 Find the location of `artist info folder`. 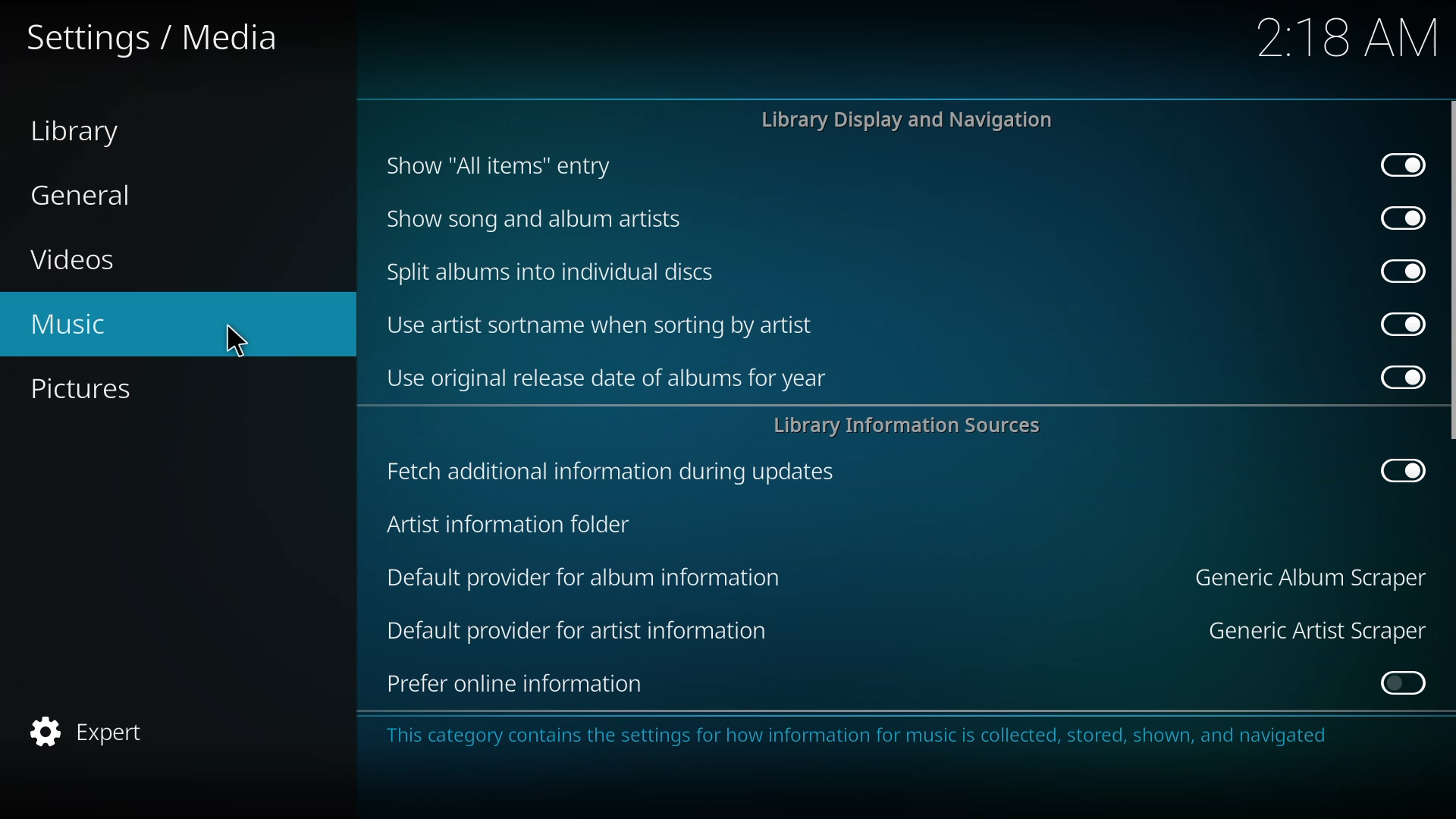

artist info folder is located at coordinates (516, 523).